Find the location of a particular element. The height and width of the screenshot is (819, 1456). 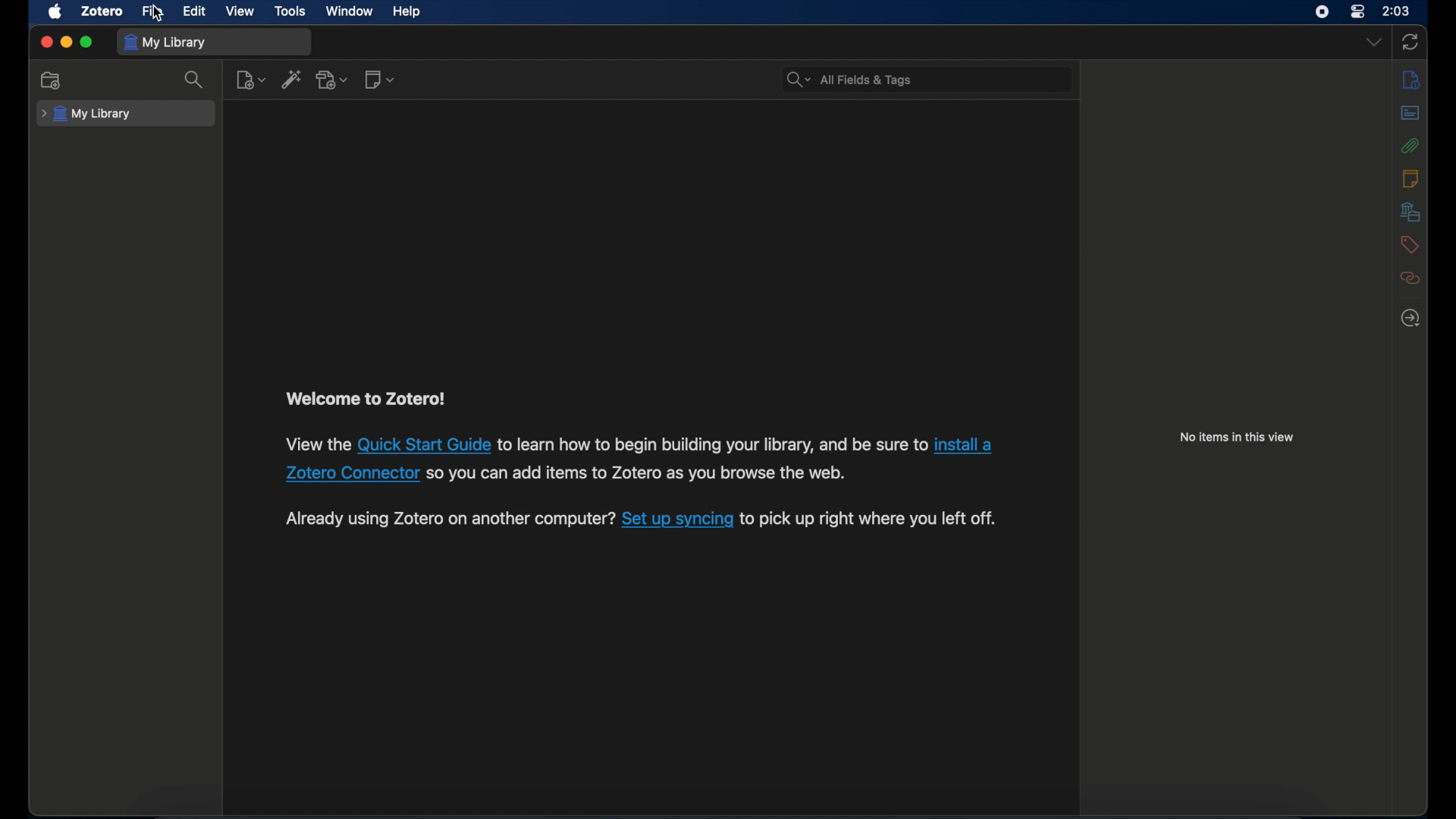

all fields & tags is located at coordinates (848, 80).